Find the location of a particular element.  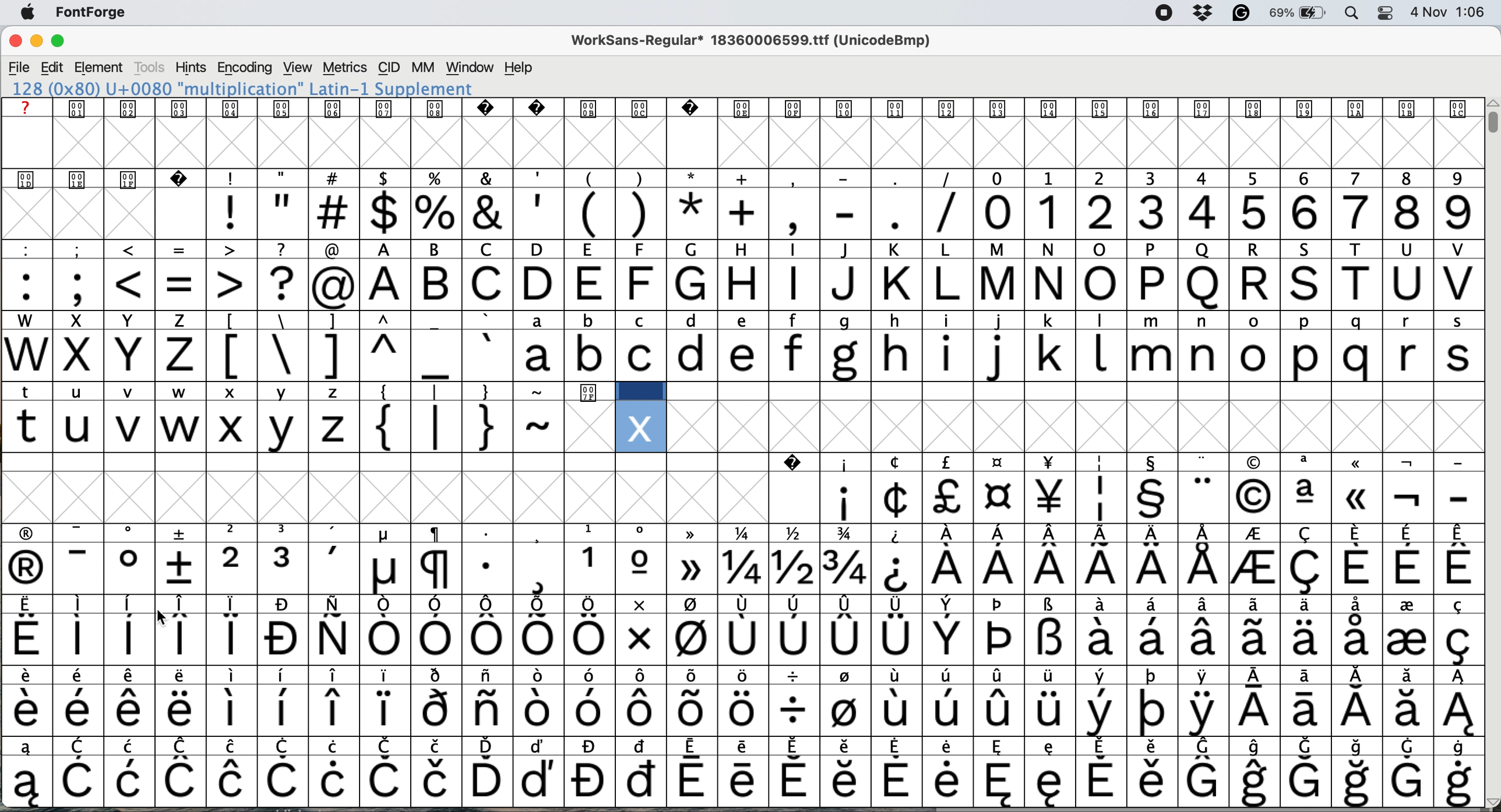

SPECIAL CHARACTERS is located at coordinates (743, 461).